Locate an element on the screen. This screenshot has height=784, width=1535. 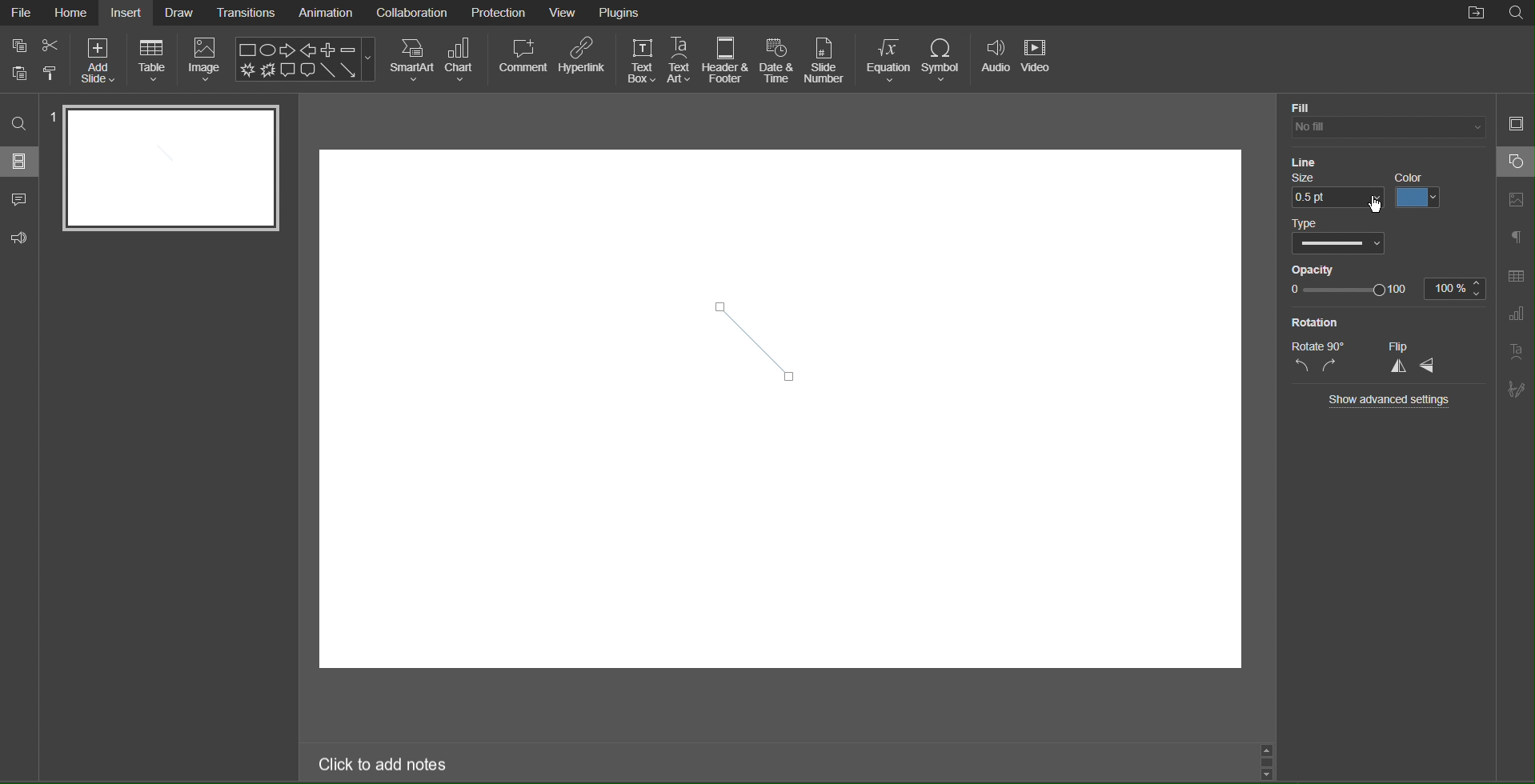
Line is located at coordinates (1301, 159).